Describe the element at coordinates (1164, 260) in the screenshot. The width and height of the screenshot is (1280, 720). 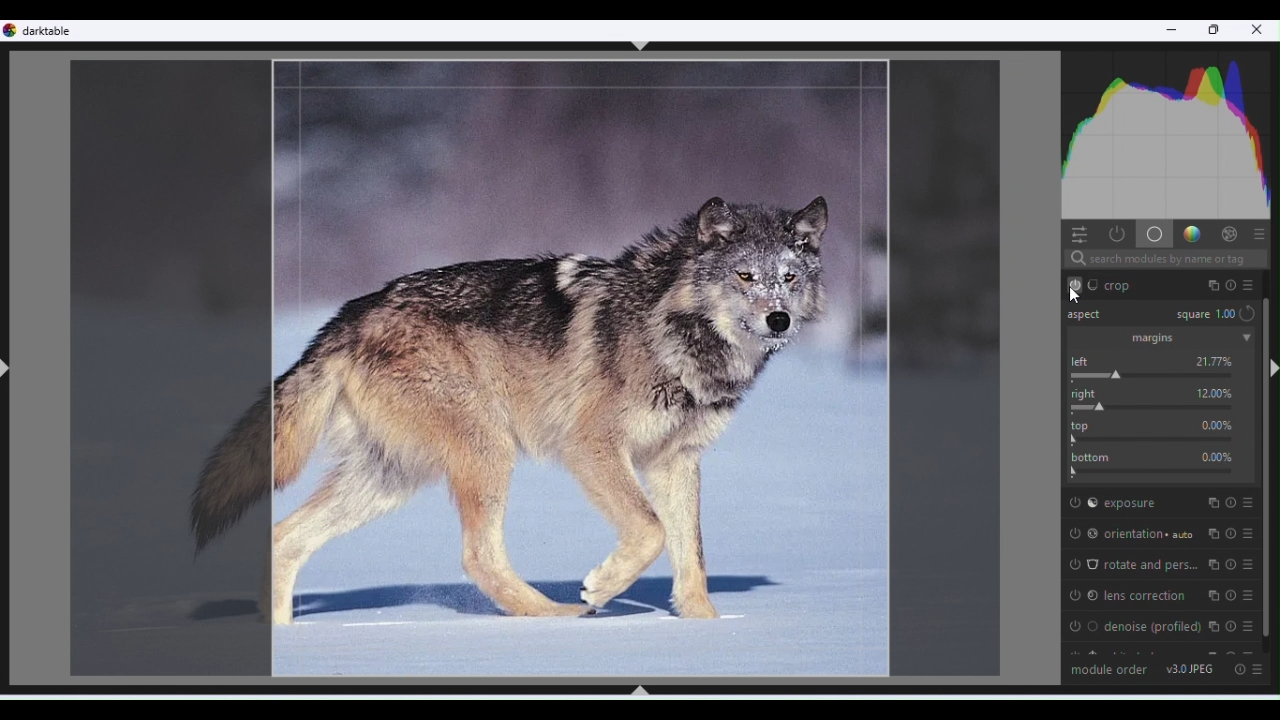
I see `Search bar` at that location.